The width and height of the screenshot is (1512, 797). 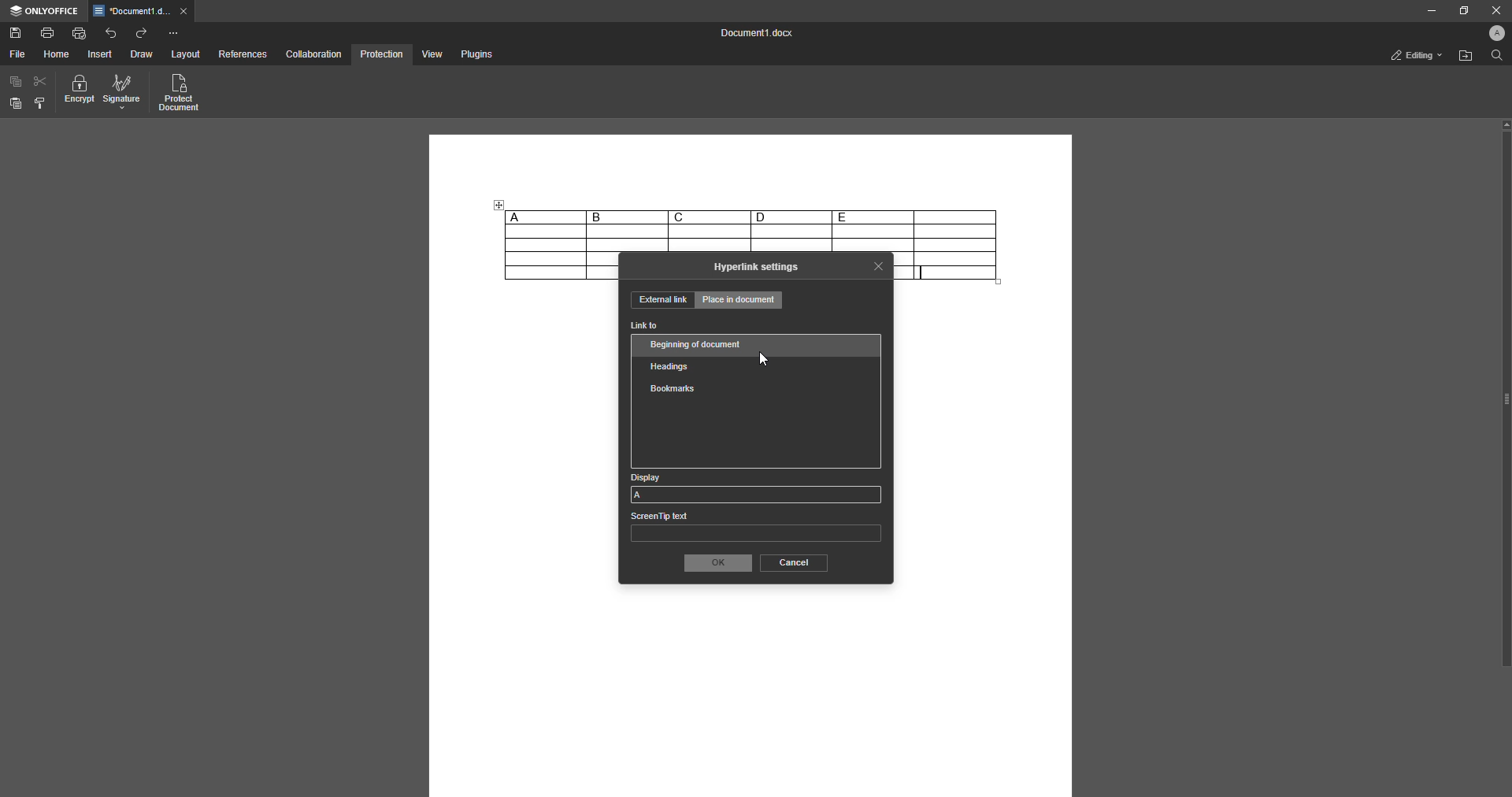 What do you see at coordinates (1493, 35) in the screenshot?
I see `Profile` at bounding box center [1493, 35].